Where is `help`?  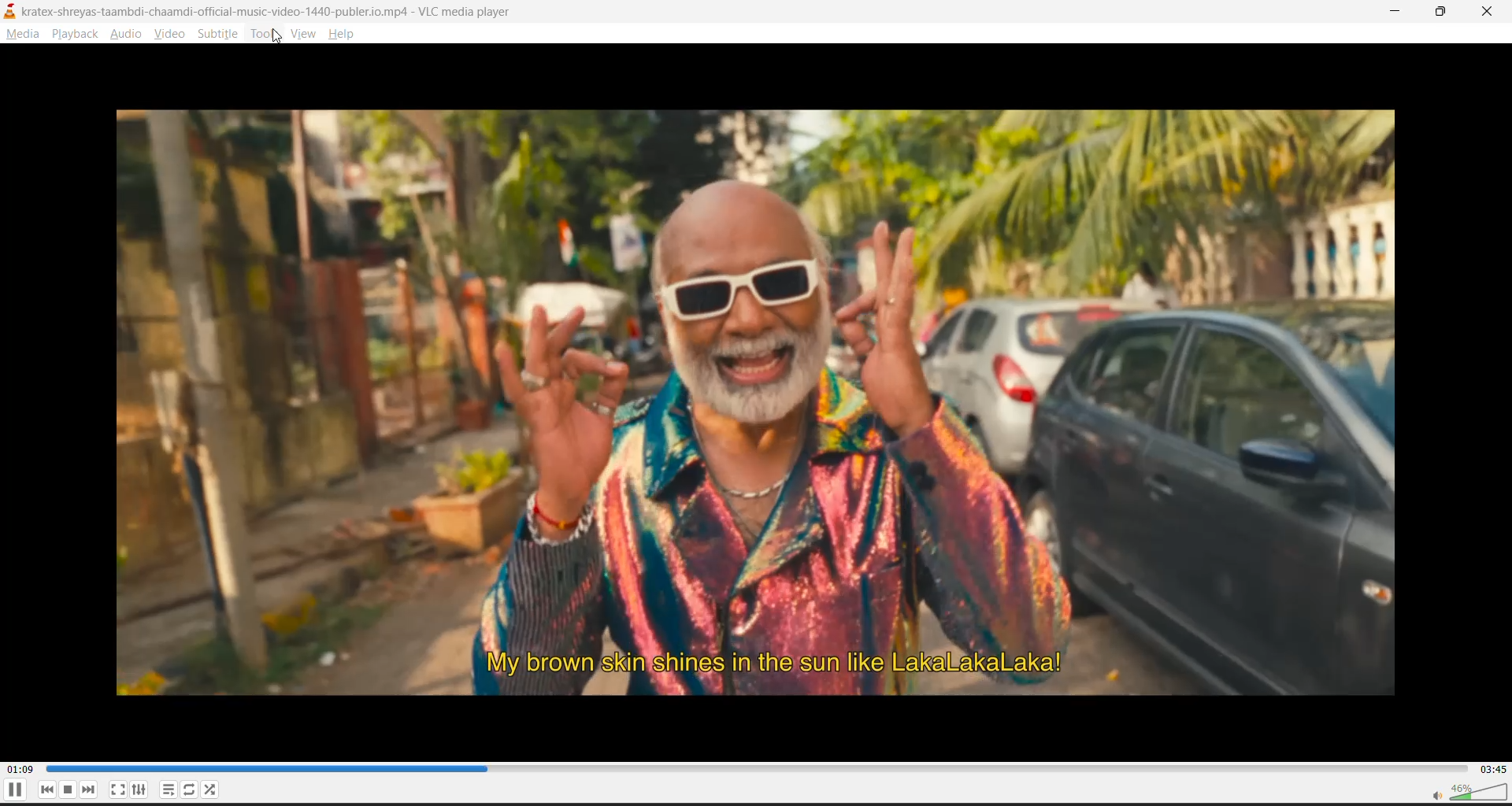
help is located at coordinates (345, 34).